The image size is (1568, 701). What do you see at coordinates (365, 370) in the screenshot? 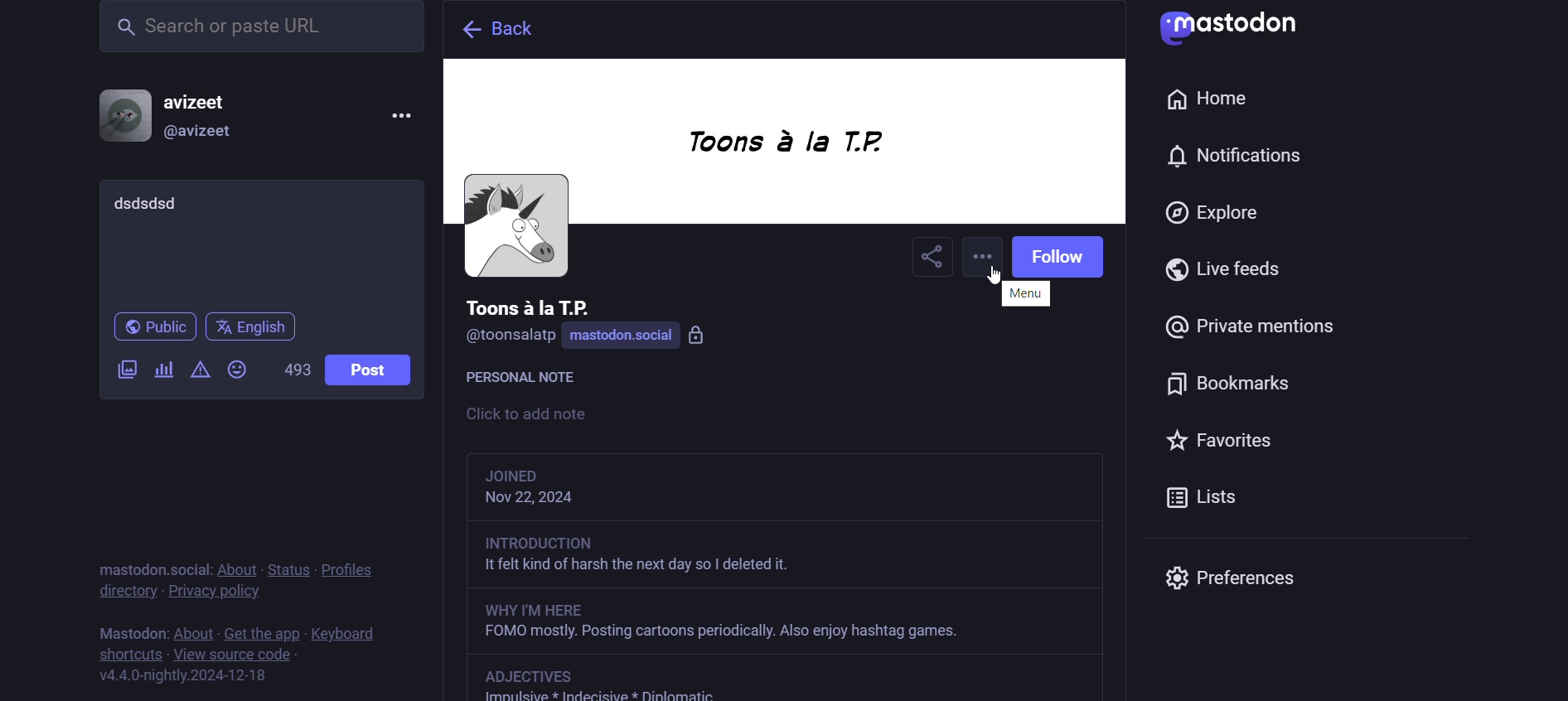
I see `post` at bounding box center [365, 370].